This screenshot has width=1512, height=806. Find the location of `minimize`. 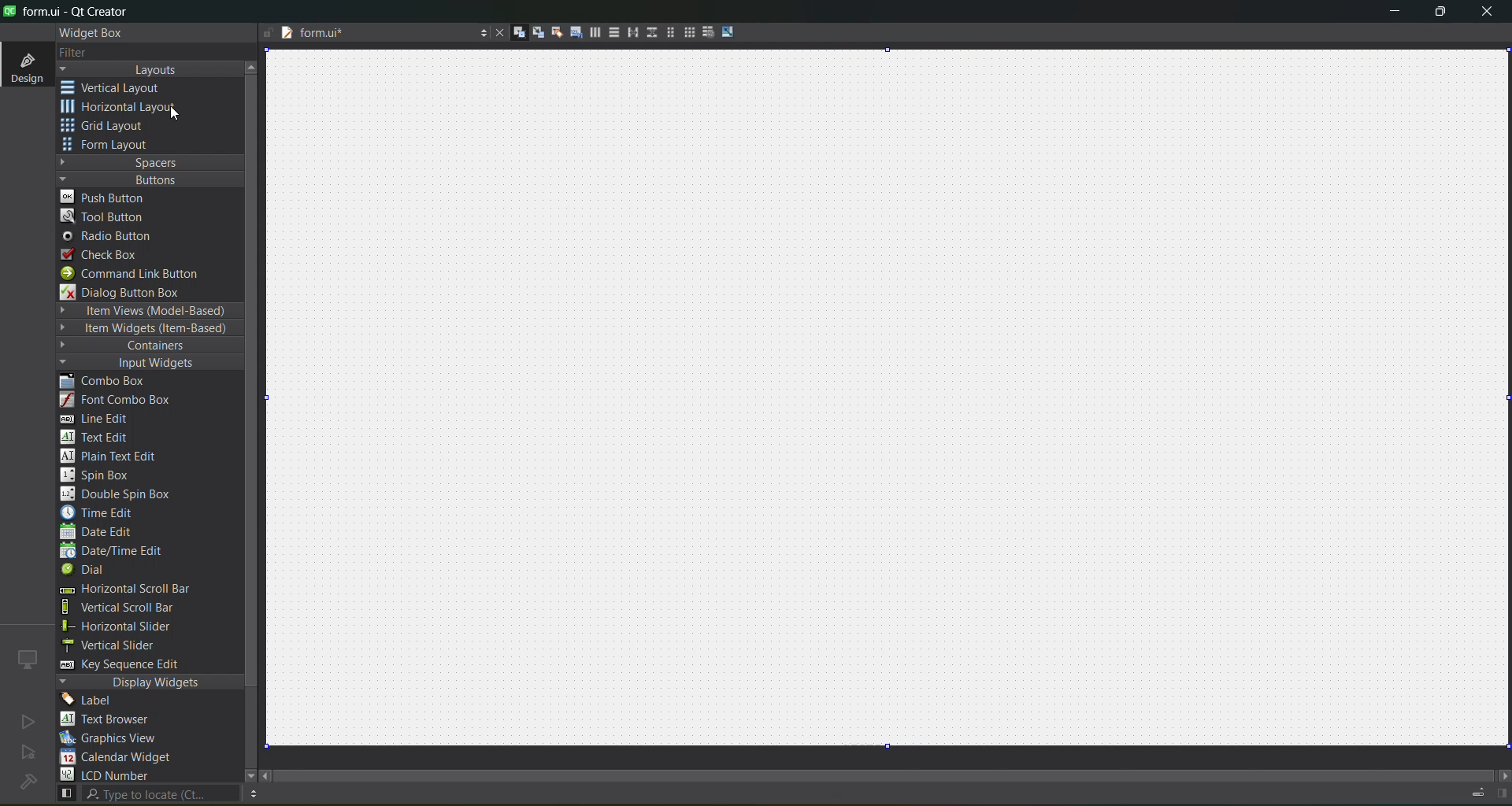

minimize is located at coordinates (1395, 14).